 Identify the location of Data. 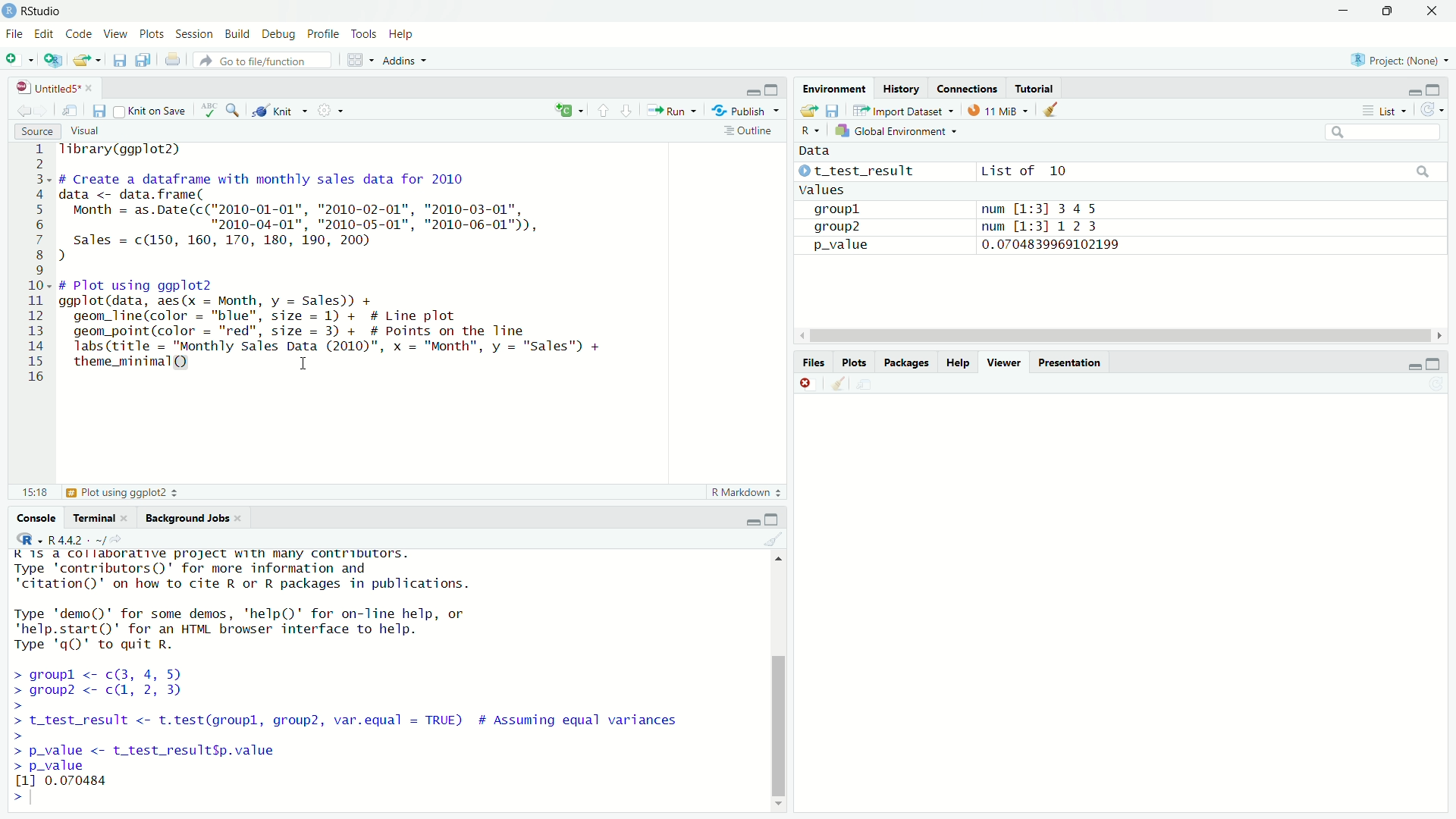
(819, 151).